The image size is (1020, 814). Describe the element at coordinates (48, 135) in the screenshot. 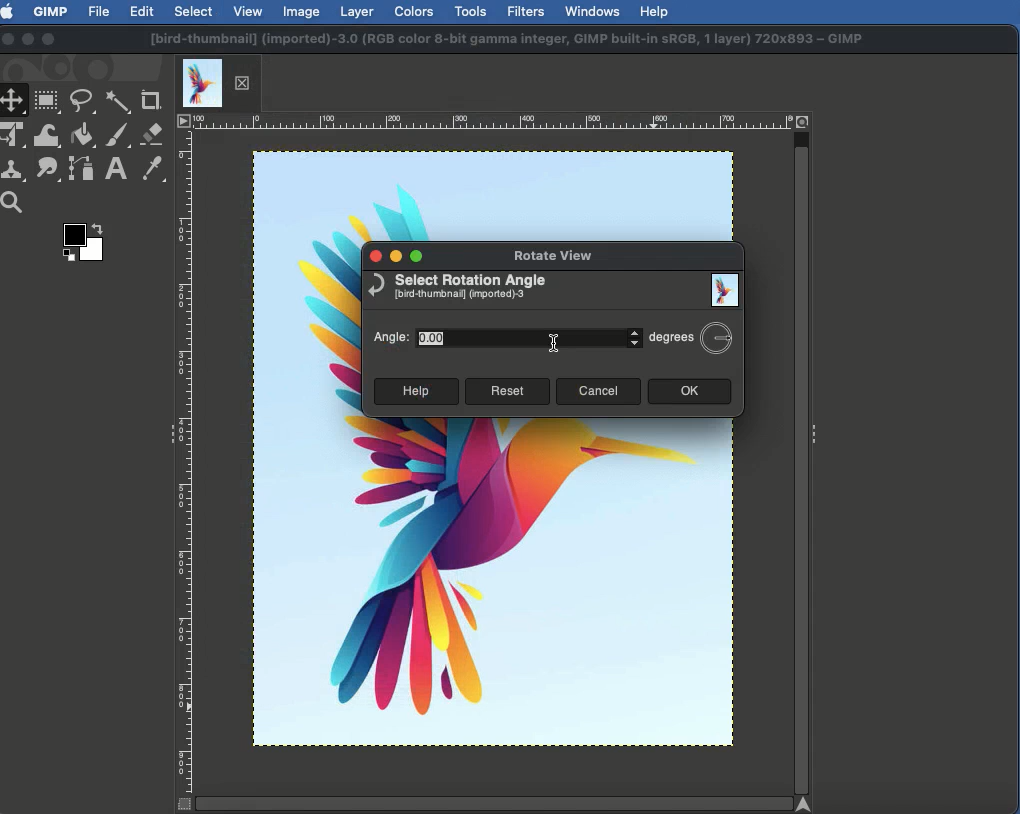

I see `Warp transformation` at that location.